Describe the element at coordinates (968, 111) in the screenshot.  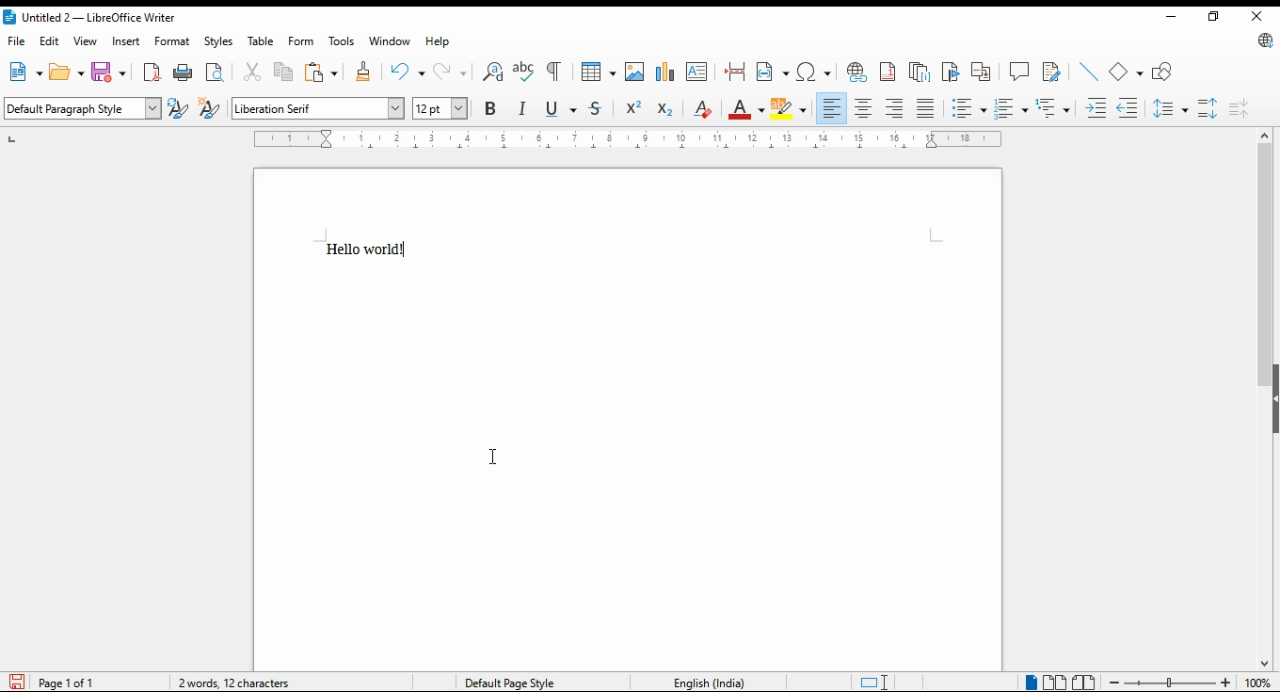
I see `toggle unordered list` at that location.